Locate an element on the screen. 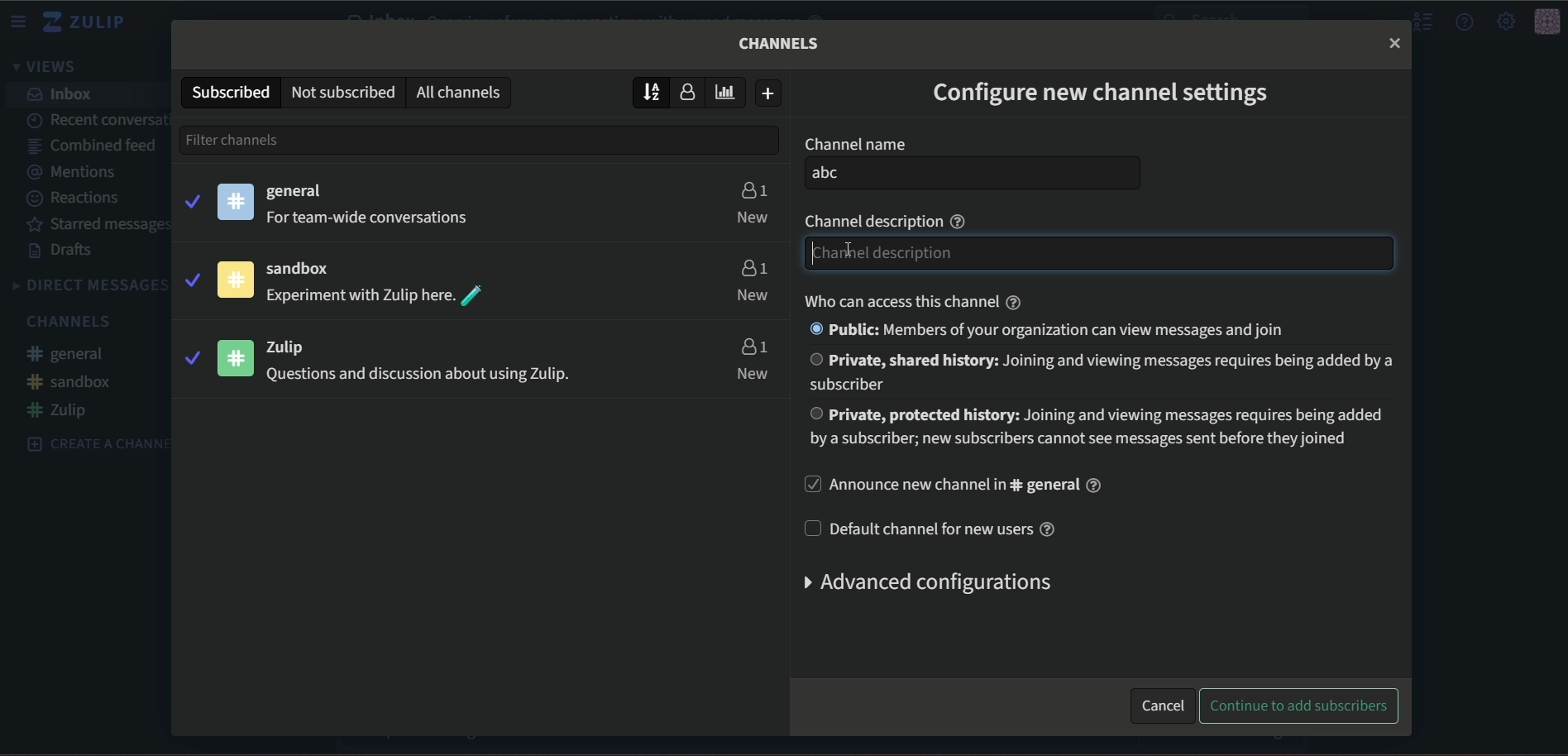 This screenshot has width=1568, height=756. #sandbox is located at coordinates (70, 381).